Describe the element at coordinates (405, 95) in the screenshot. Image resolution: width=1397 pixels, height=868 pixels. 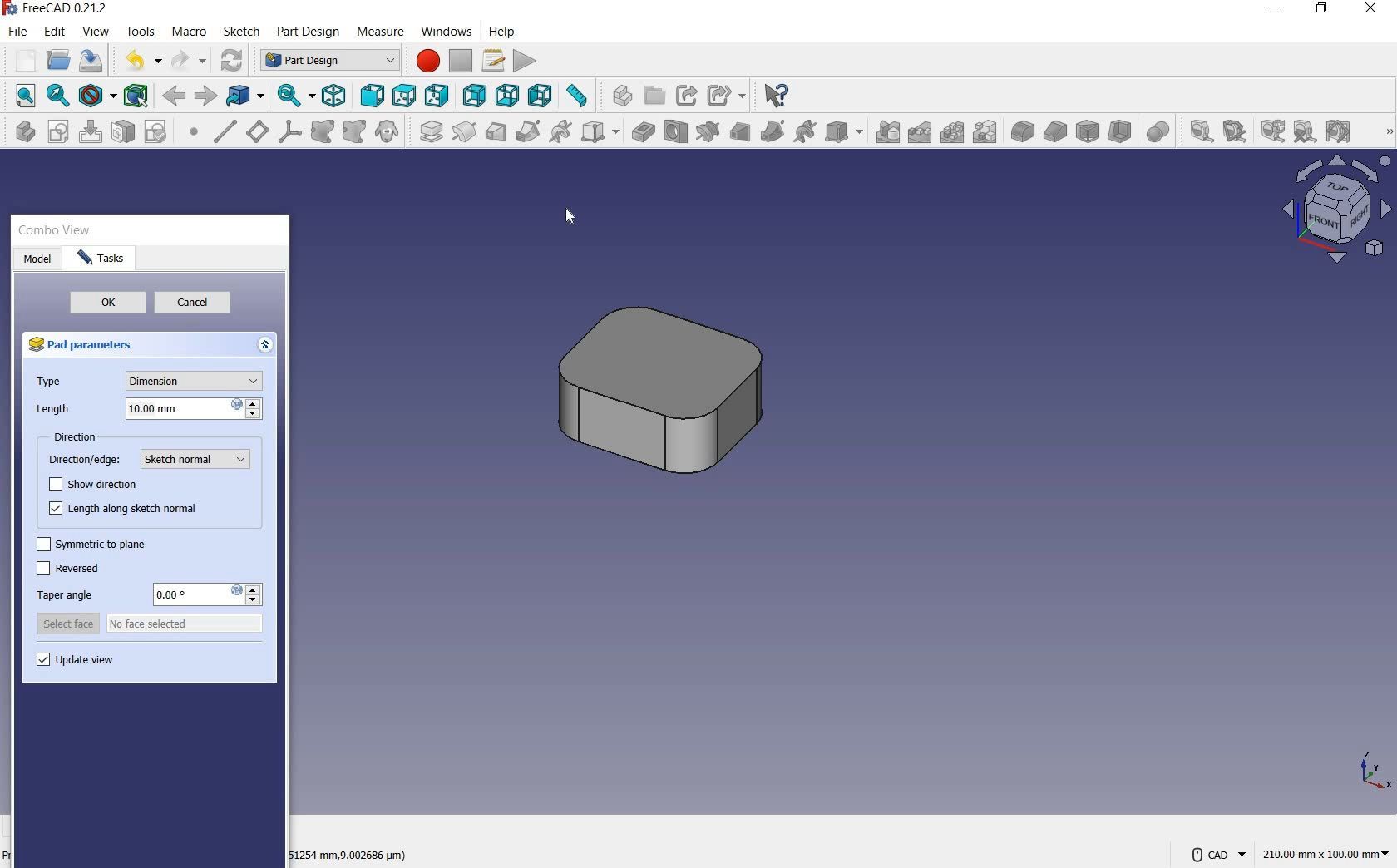
I see `top` at that location.